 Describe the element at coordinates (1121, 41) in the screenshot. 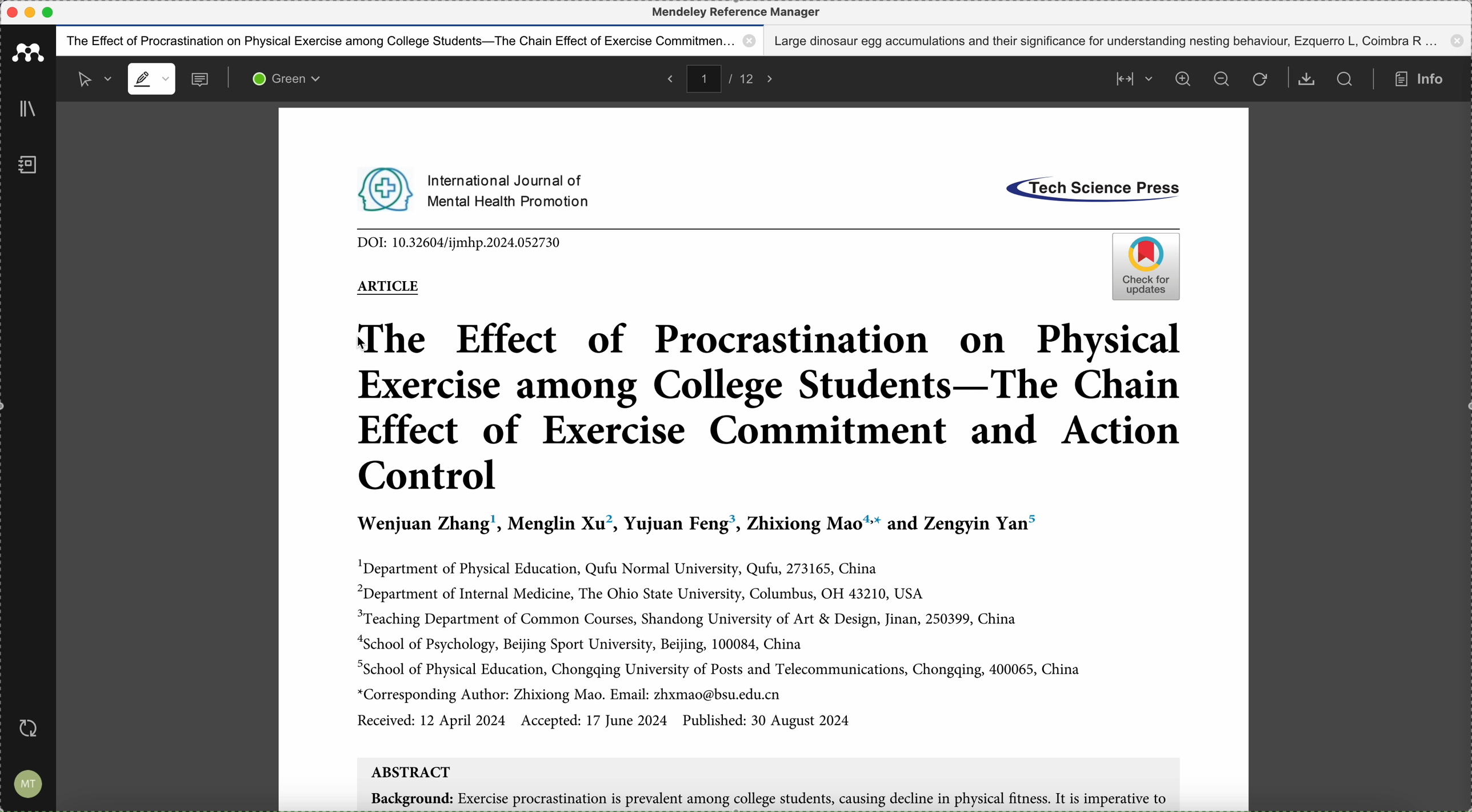

I see `Large dinosaur egg accumulations and their significance for understanding nesting behaviour, Ezquerro` at that location.